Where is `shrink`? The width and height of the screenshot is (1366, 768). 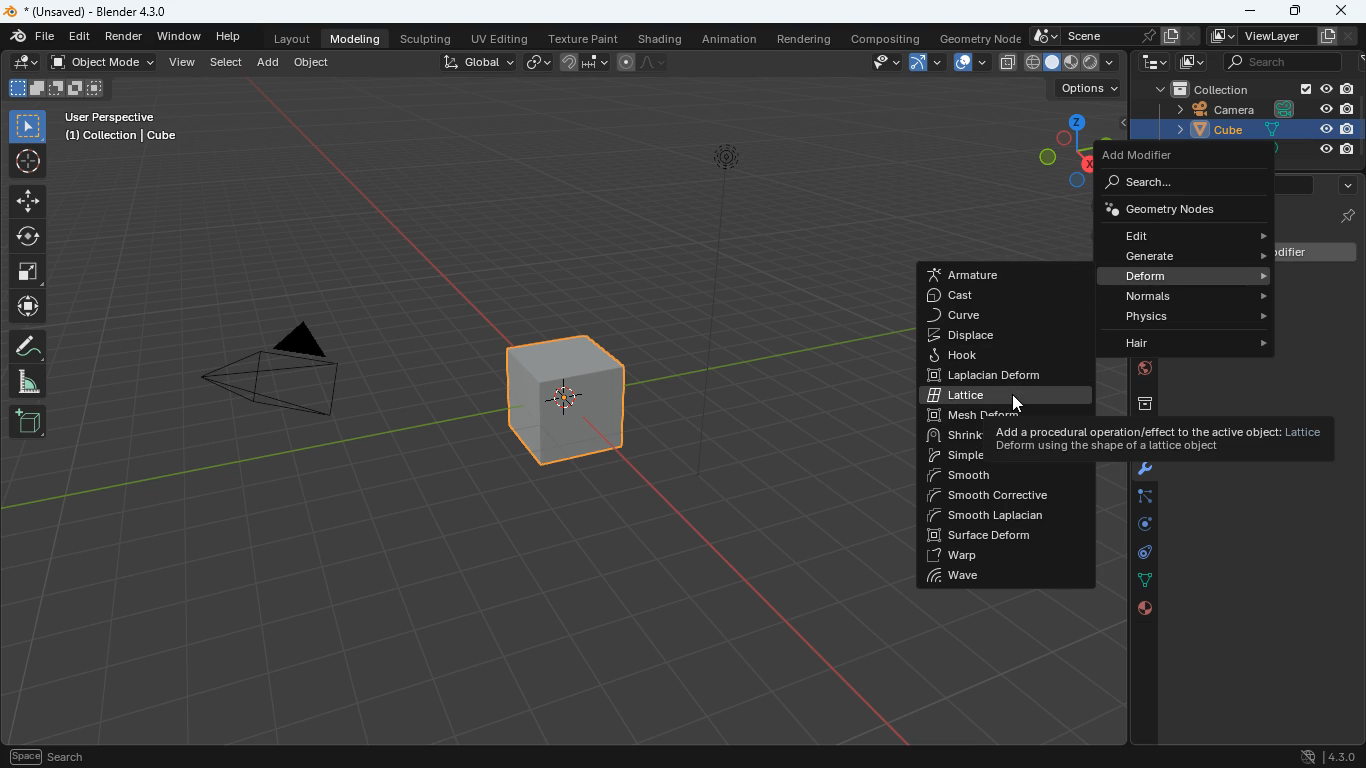
shrink is located at coordinates (952, 437).